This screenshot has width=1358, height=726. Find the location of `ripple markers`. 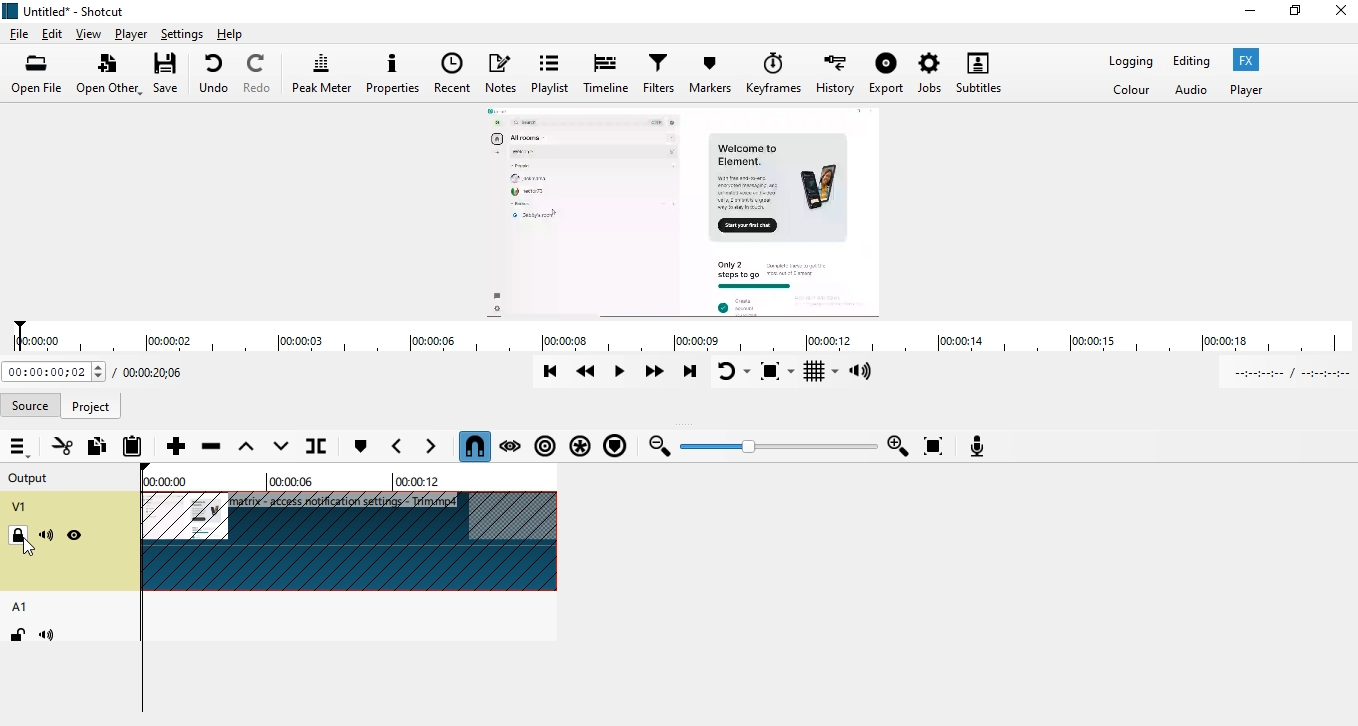

ripple markers is located at coordinates (616, 447).